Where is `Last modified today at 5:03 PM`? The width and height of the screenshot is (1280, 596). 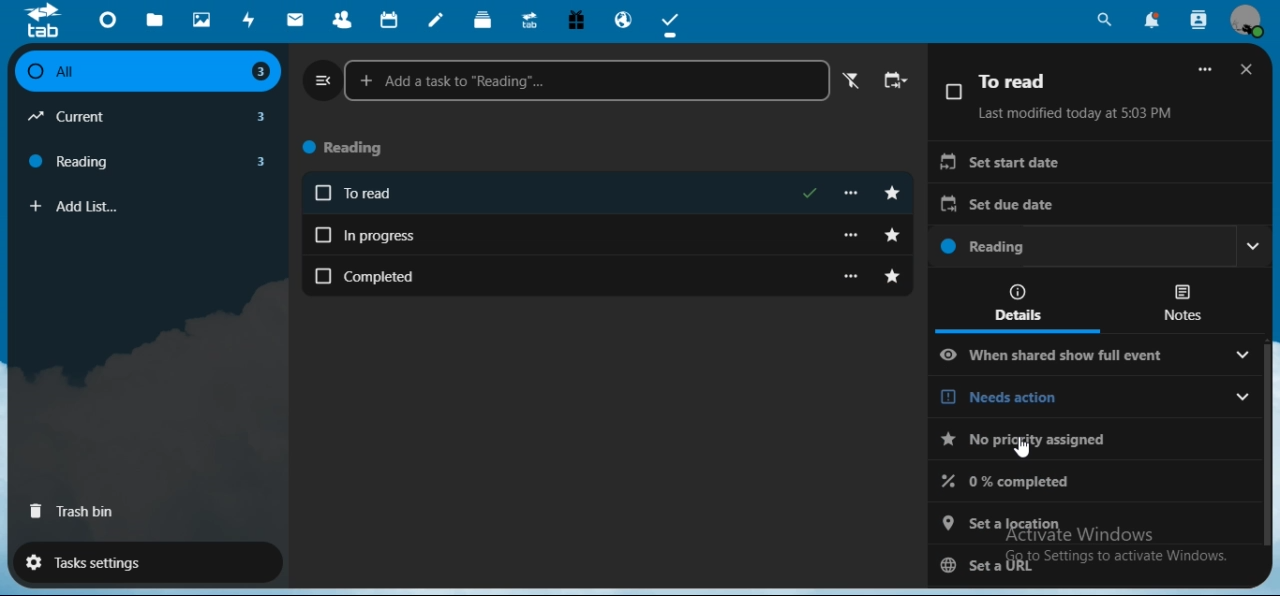
Last modified today at 5:03 PM is located at coordinates (1076, 113).